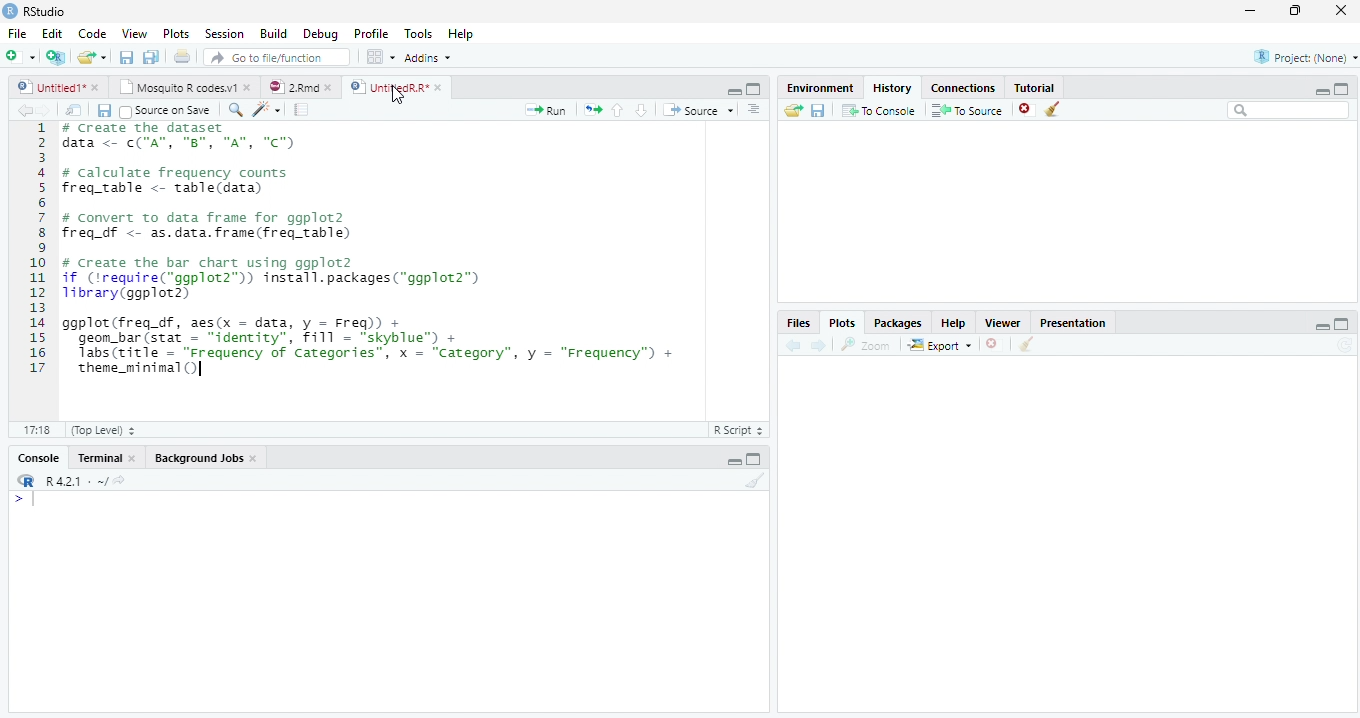  Describe the element at coordinates (994, 343) in the screenshot. I see `delete ` at that location.